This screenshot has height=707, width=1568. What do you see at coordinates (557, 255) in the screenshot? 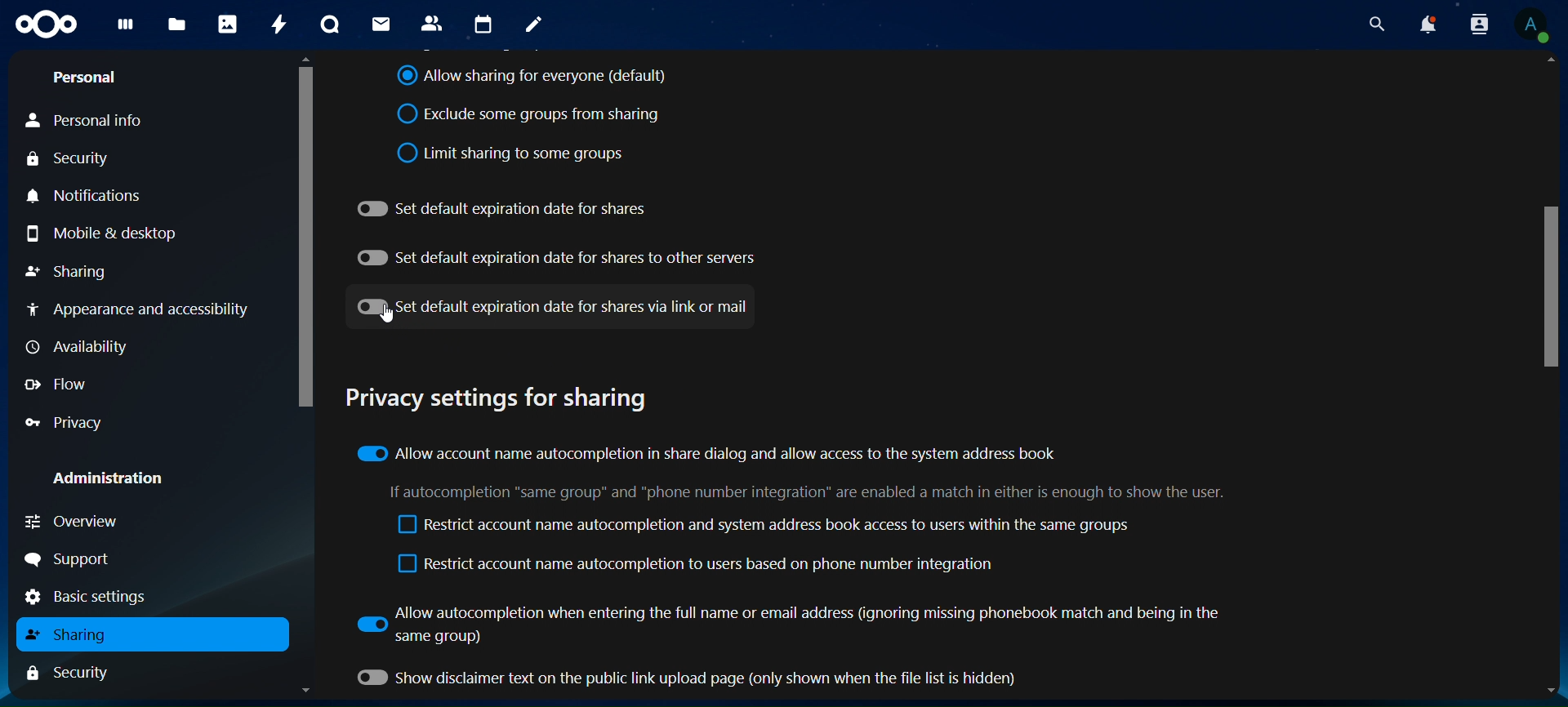
I see `set default expiration date for shares to other servers` at bounding box center [557, 255].